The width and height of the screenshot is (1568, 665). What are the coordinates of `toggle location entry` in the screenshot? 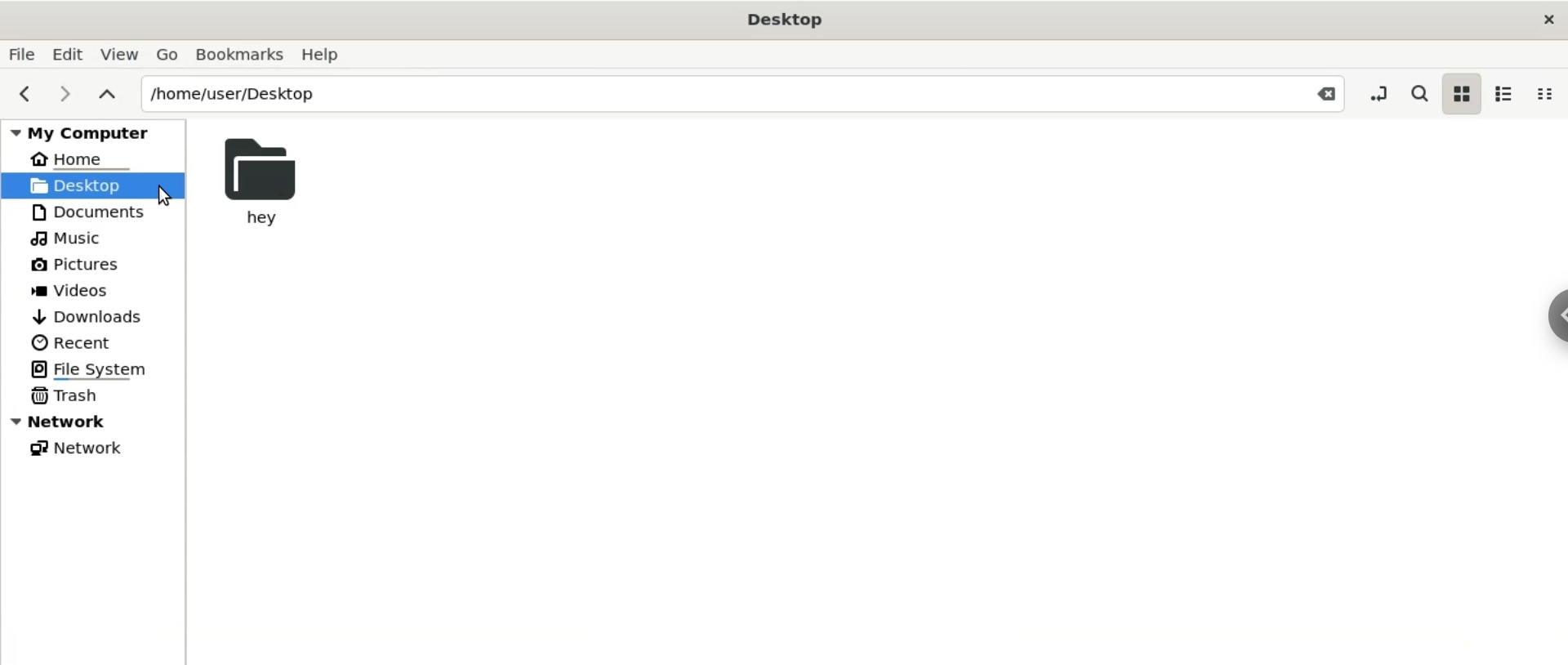 It's located at (1377, 93).